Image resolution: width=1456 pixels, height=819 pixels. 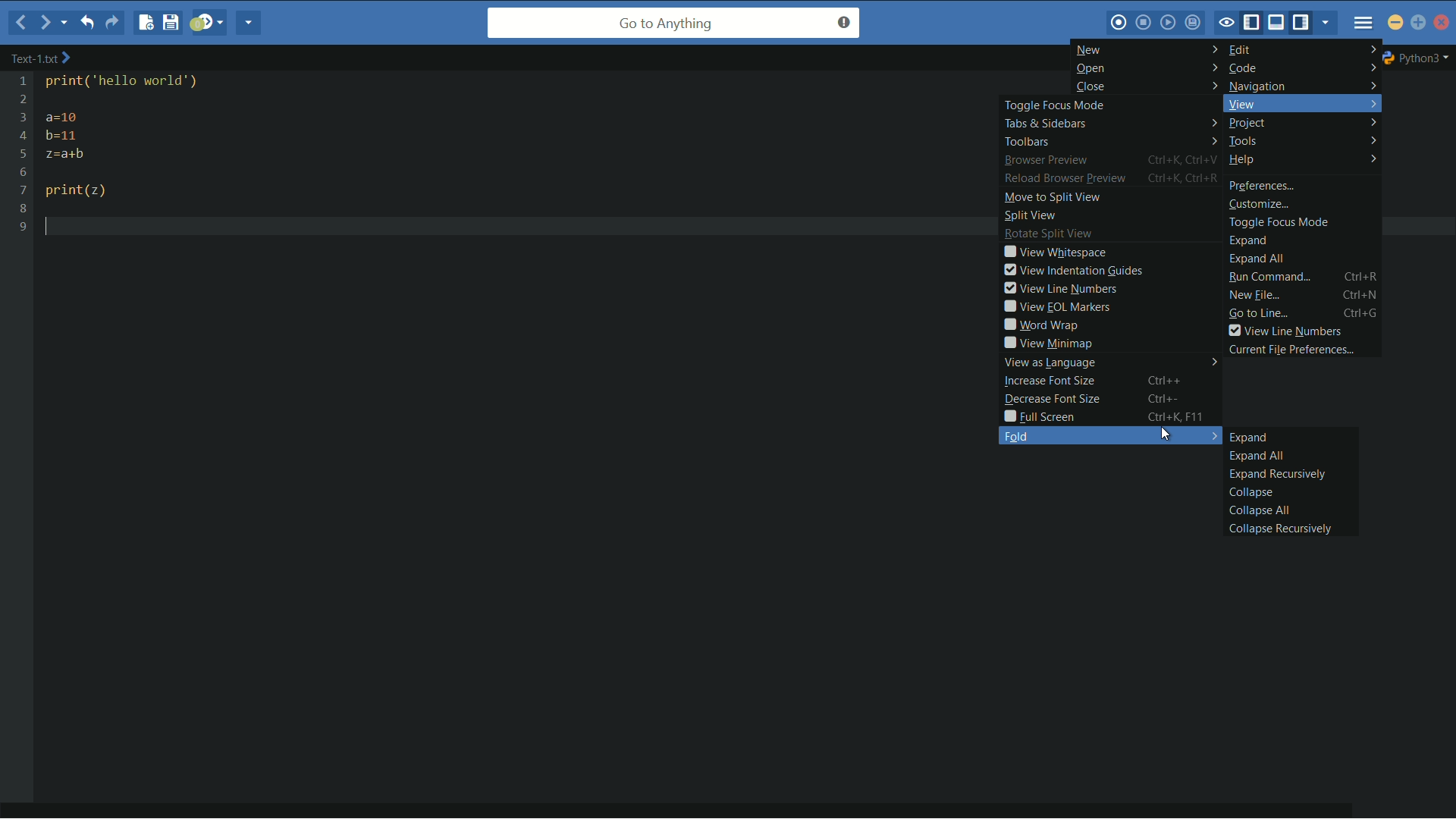 I want to click on Ctrl+K, F11, so click(x=1181, y=416).